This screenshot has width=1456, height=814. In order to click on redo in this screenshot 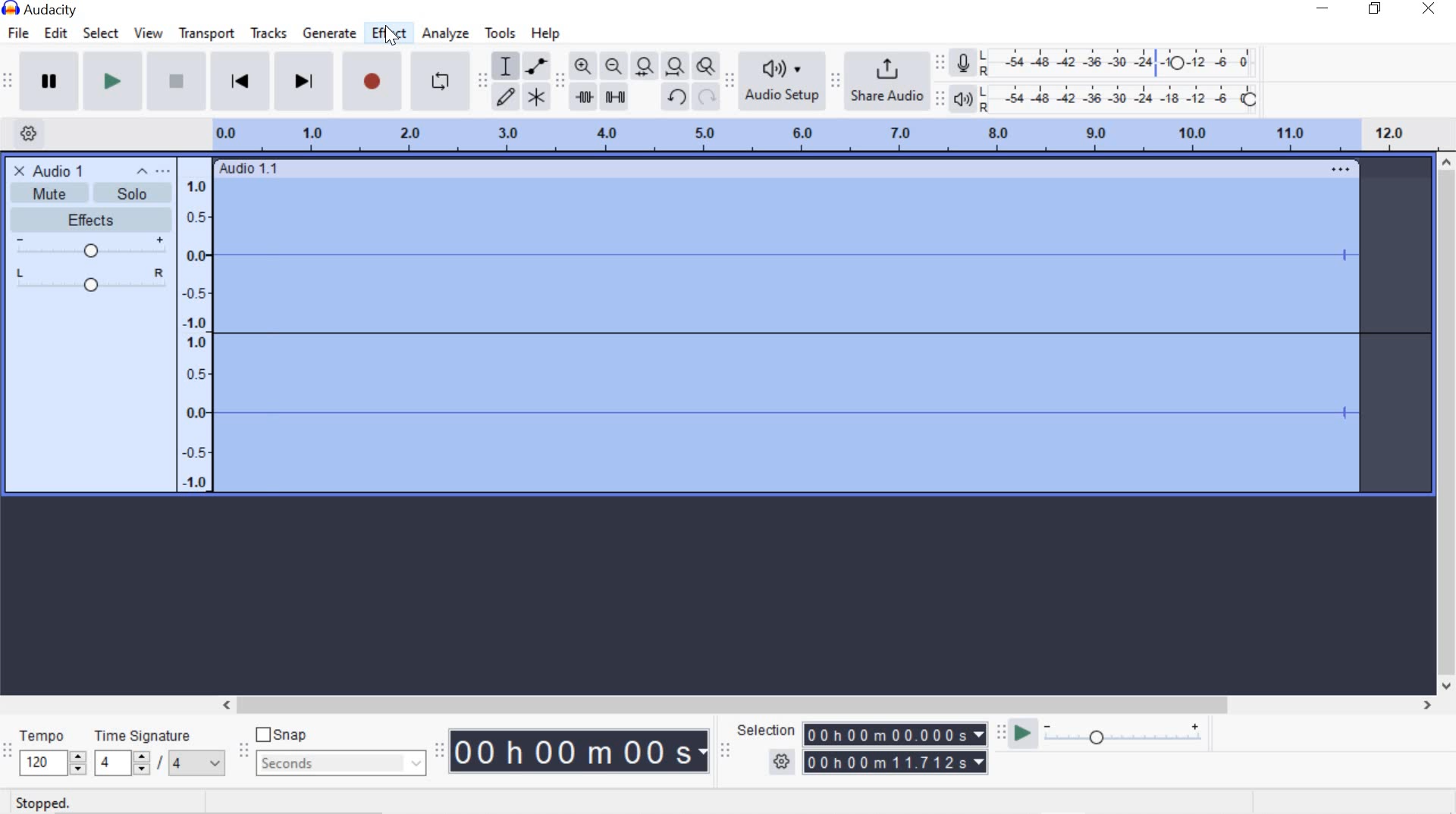, I will do `click(707, 98)`.